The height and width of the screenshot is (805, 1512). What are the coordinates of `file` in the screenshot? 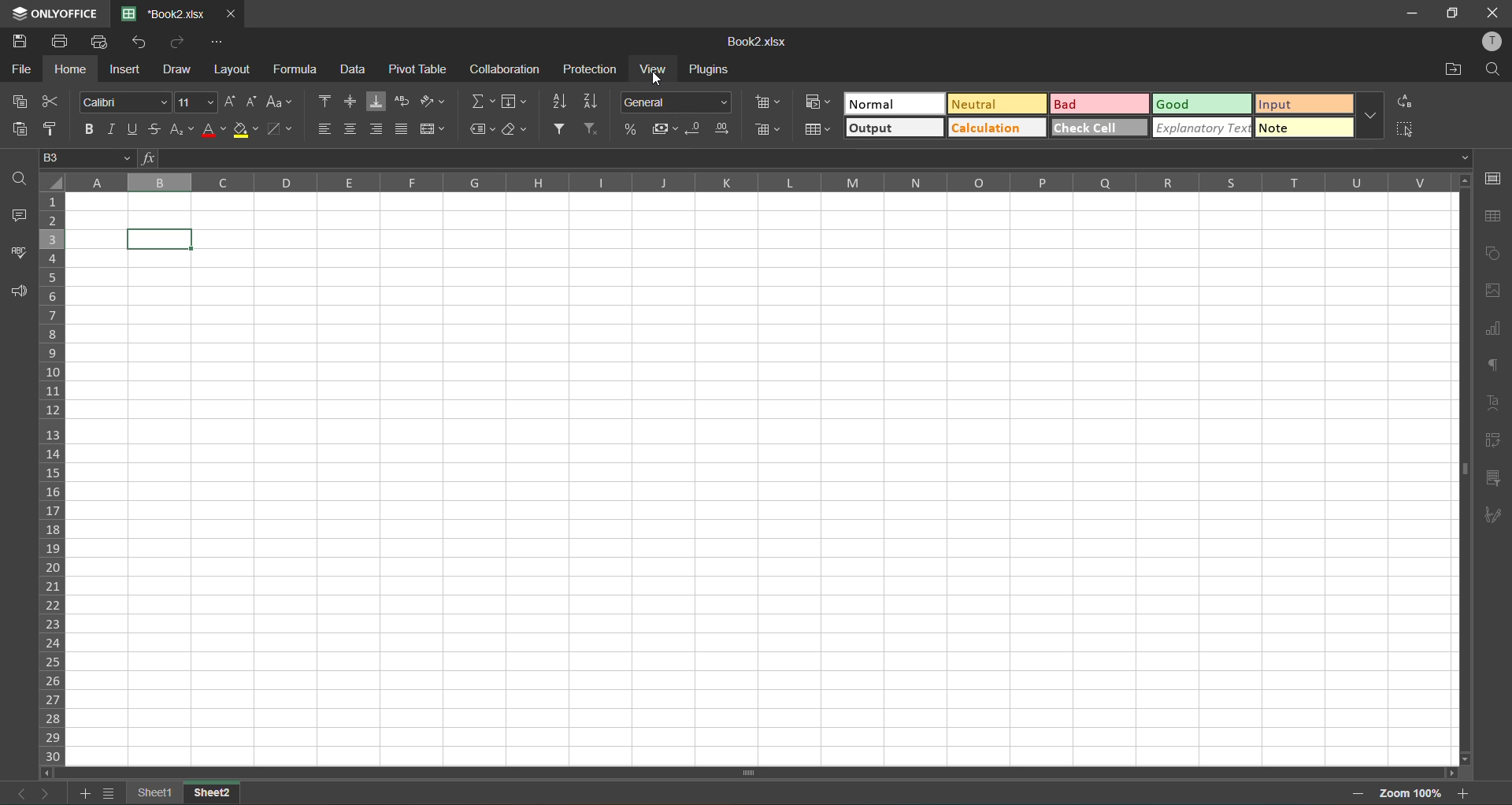 It's located at (25, 70).